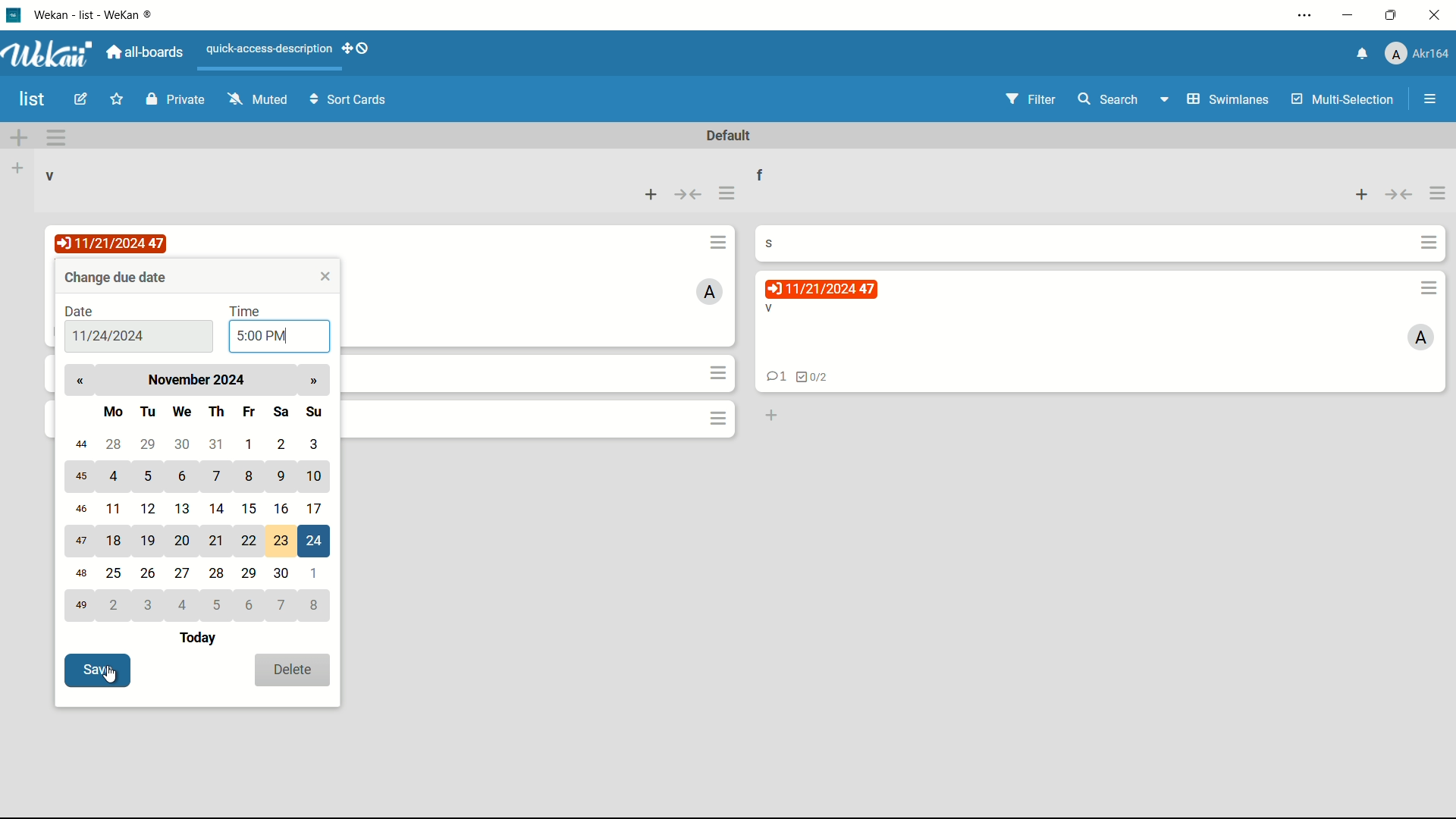 This screenshot has width=1456, height=819. Describe the element at coordinates (213, 409) in the screenshot. I see `days` at that location.